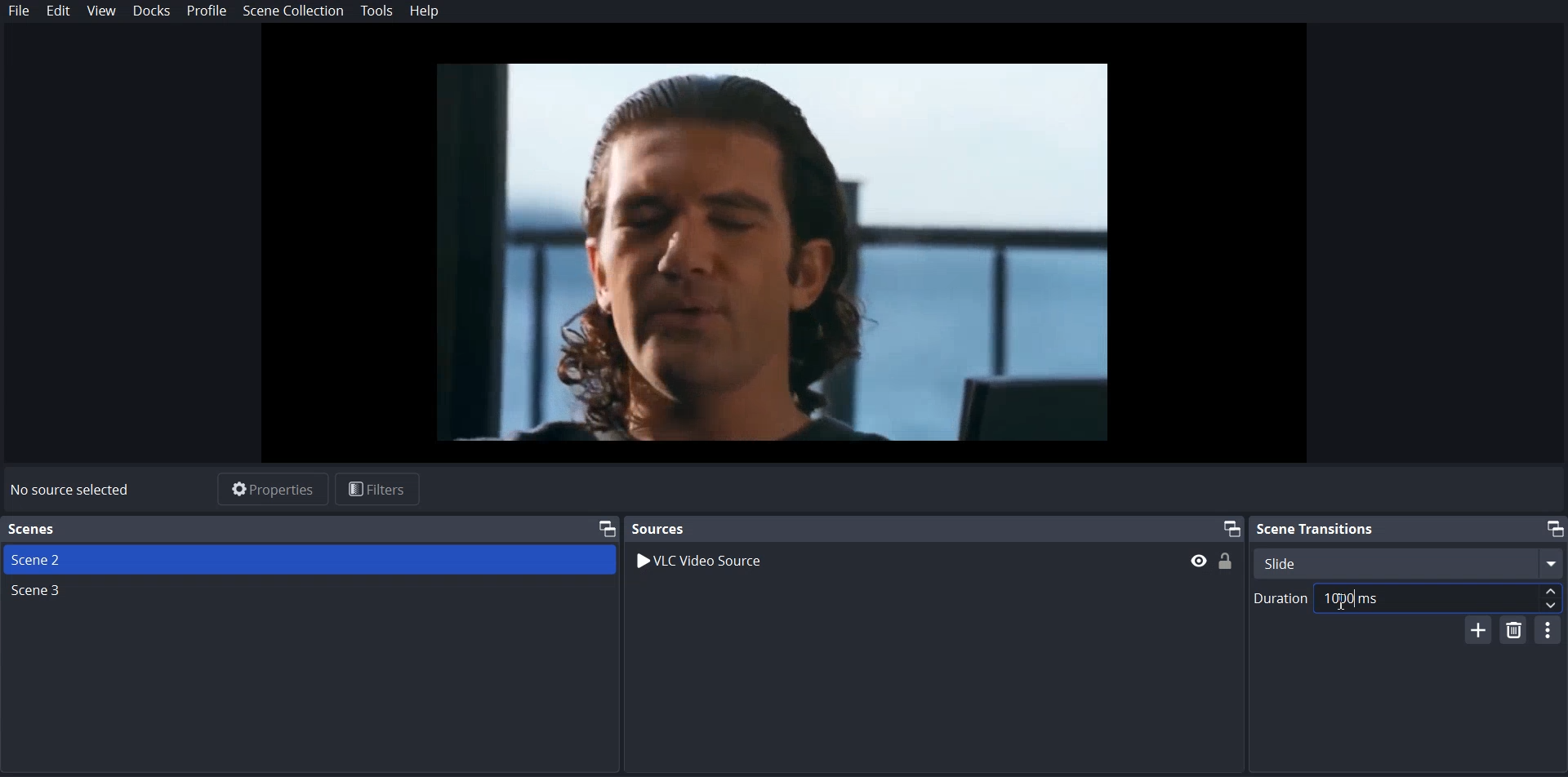 The height and width of the screenshot is (777, 1568). I want to click on Dock, so click(152, 11).